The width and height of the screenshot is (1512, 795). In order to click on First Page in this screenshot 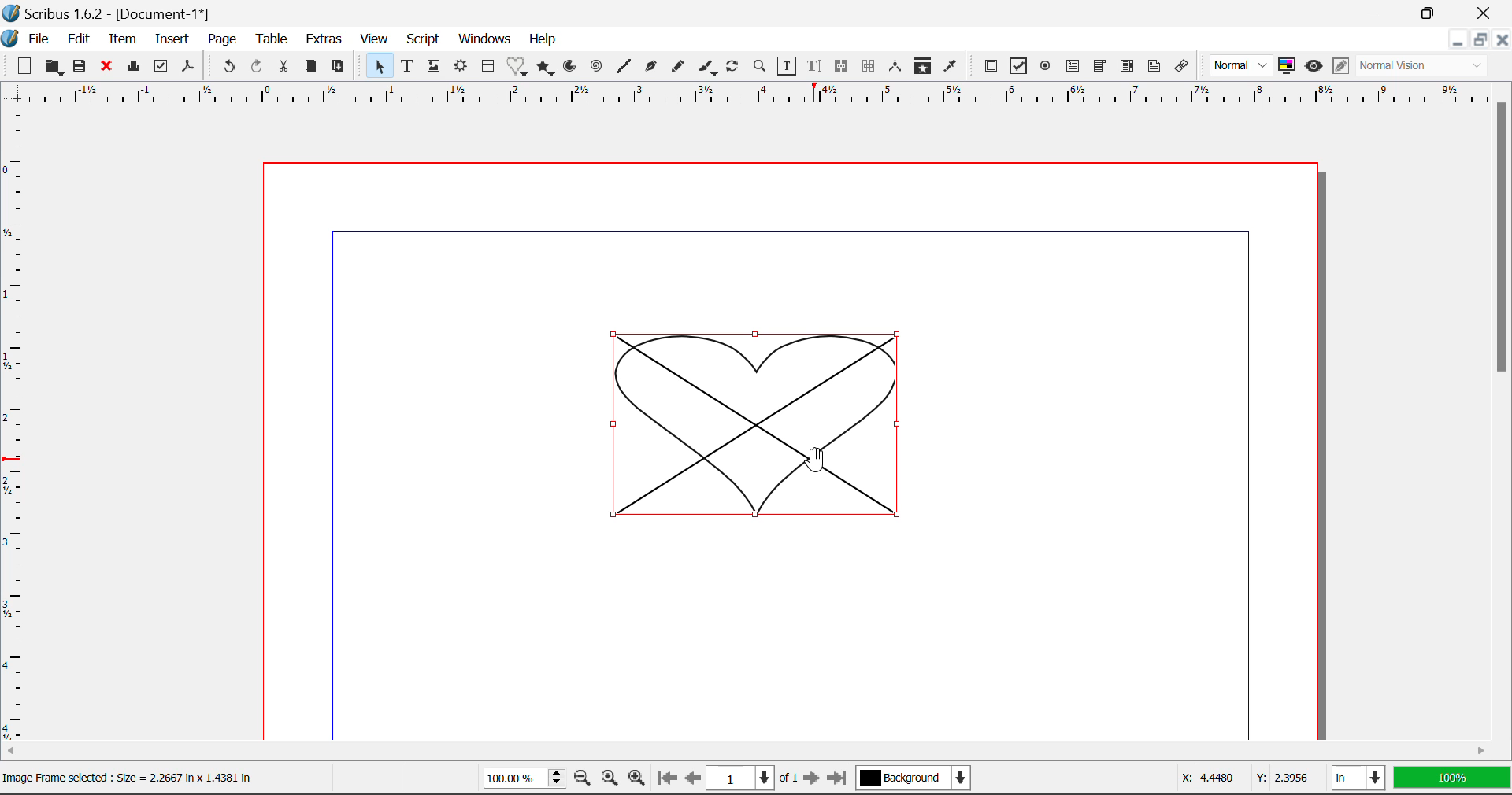, I will do `click(667, 778)`.